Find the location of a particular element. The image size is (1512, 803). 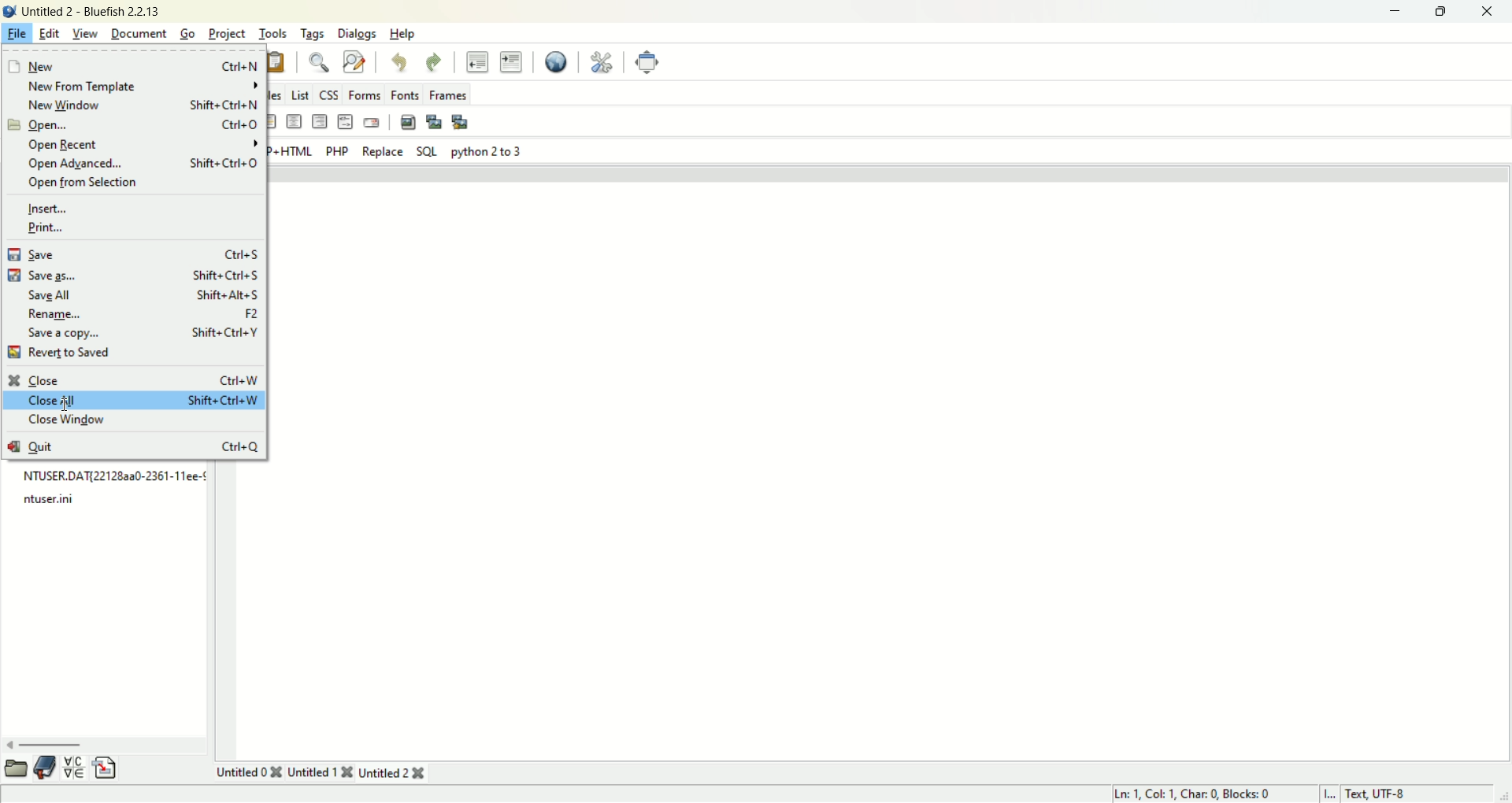

MULTI THUMBNAIL is located at coordinates (461, 121).